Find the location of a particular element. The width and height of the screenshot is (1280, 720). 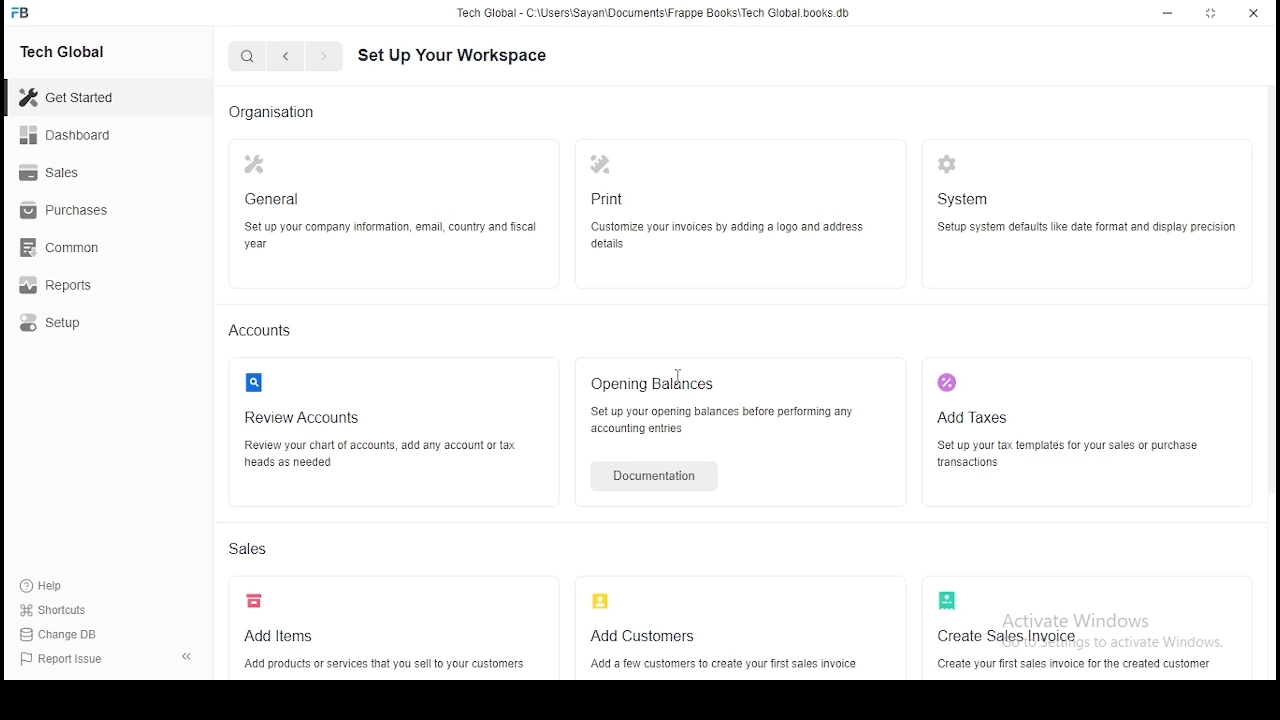

Accounts  is located at coordinates (262, 331).